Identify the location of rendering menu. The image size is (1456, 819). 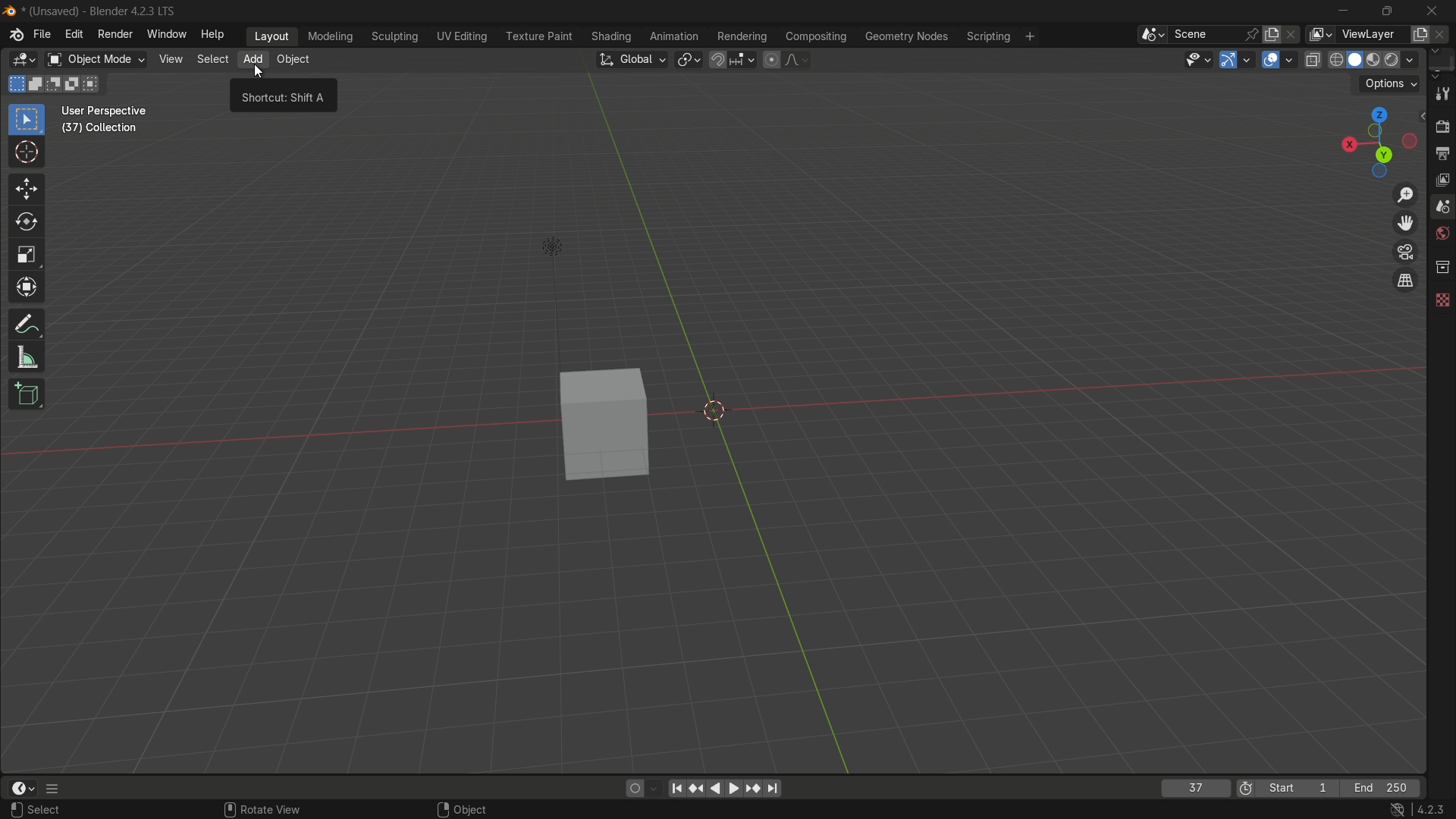
(742, 36).